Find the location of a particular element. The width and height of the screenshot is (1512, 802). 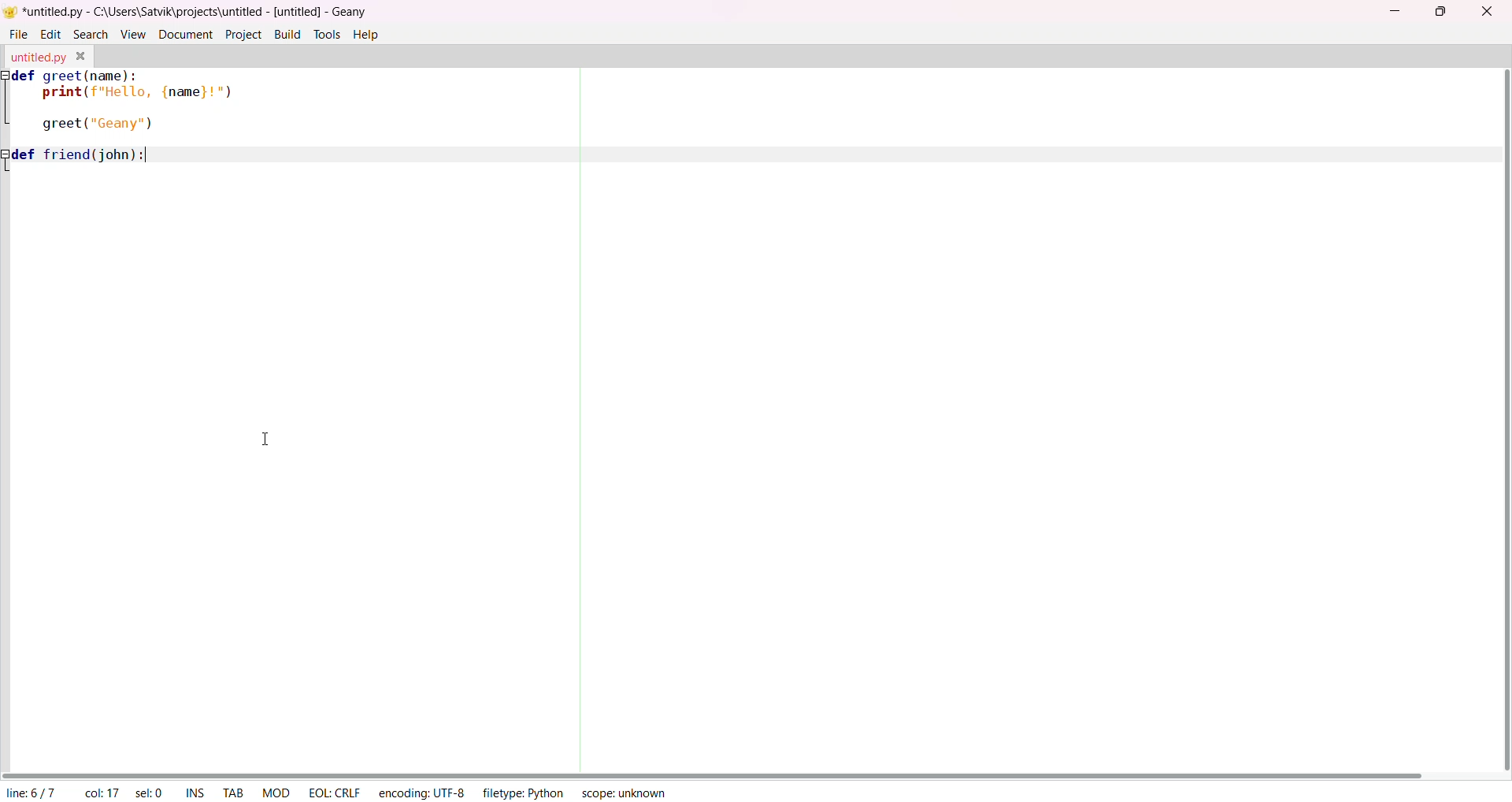

close tab is located at coordinates (80, 54).